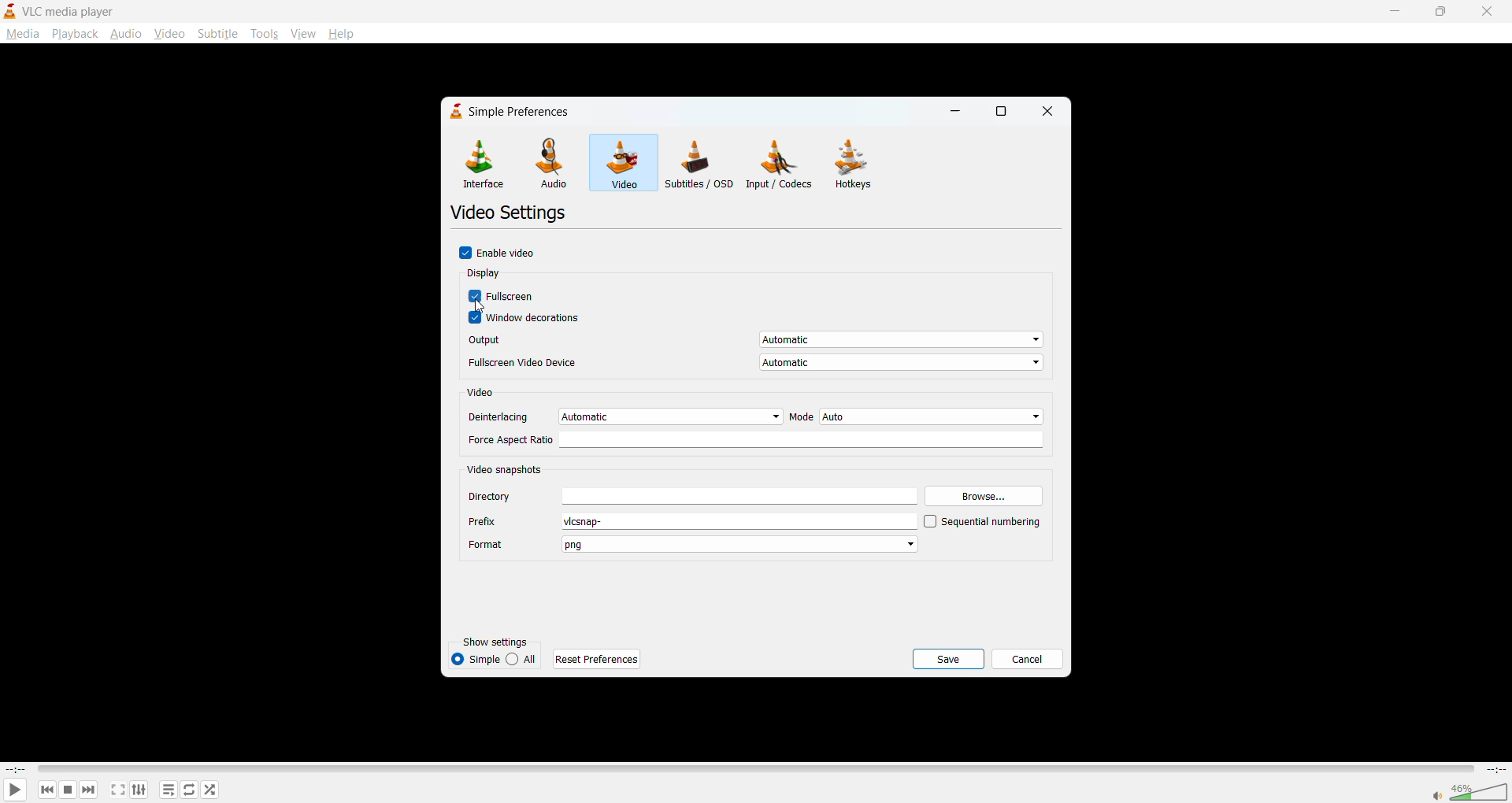 Image resolution: width=1512 pixels, height=803 pixels. I want to click on current track time, so click(16, 768).